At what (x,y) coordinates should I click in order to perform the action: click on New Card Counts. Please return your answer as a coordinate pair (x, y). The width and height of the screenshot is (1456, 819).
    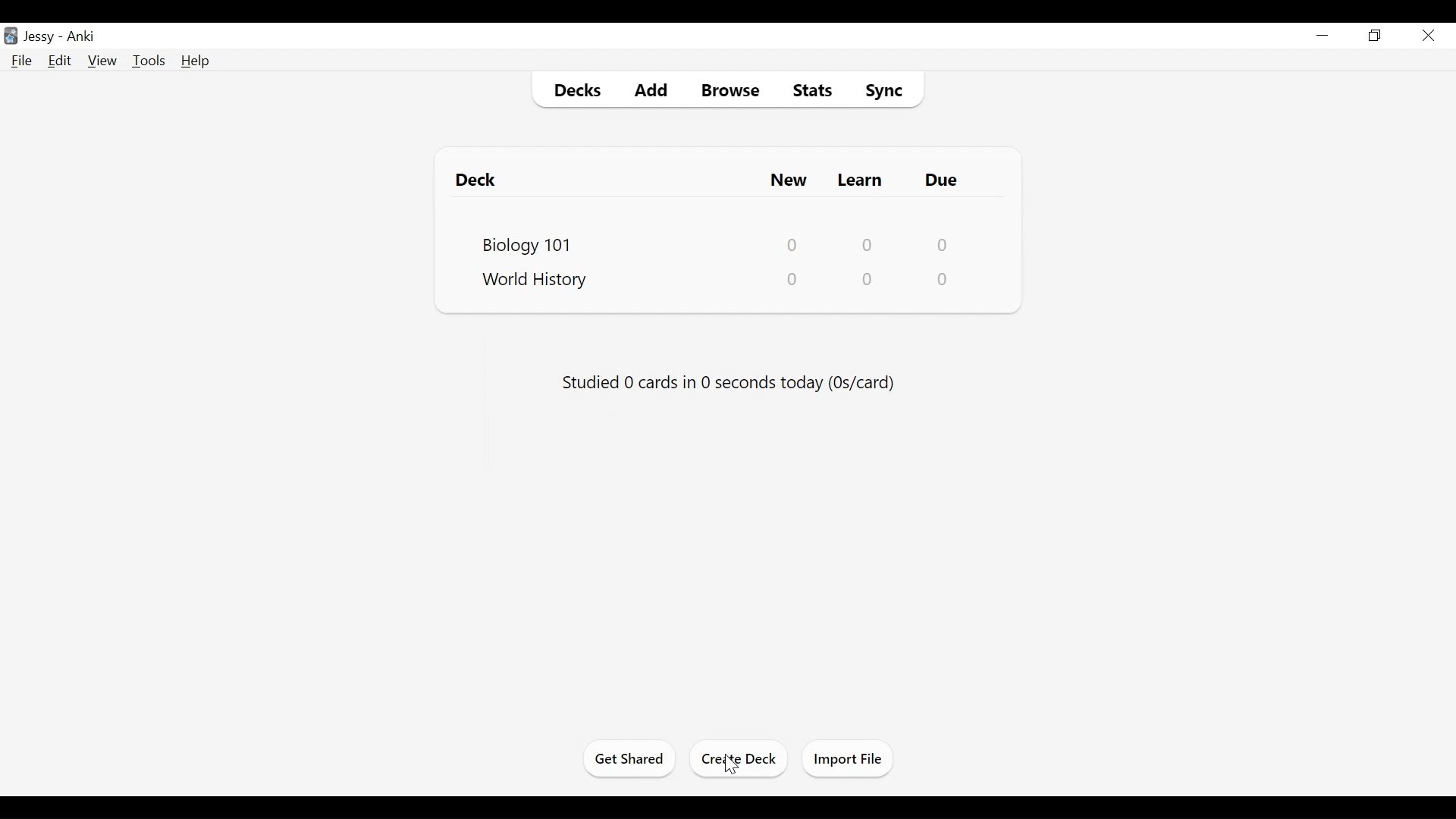
    Looking at the image, I should click on (795, 243).